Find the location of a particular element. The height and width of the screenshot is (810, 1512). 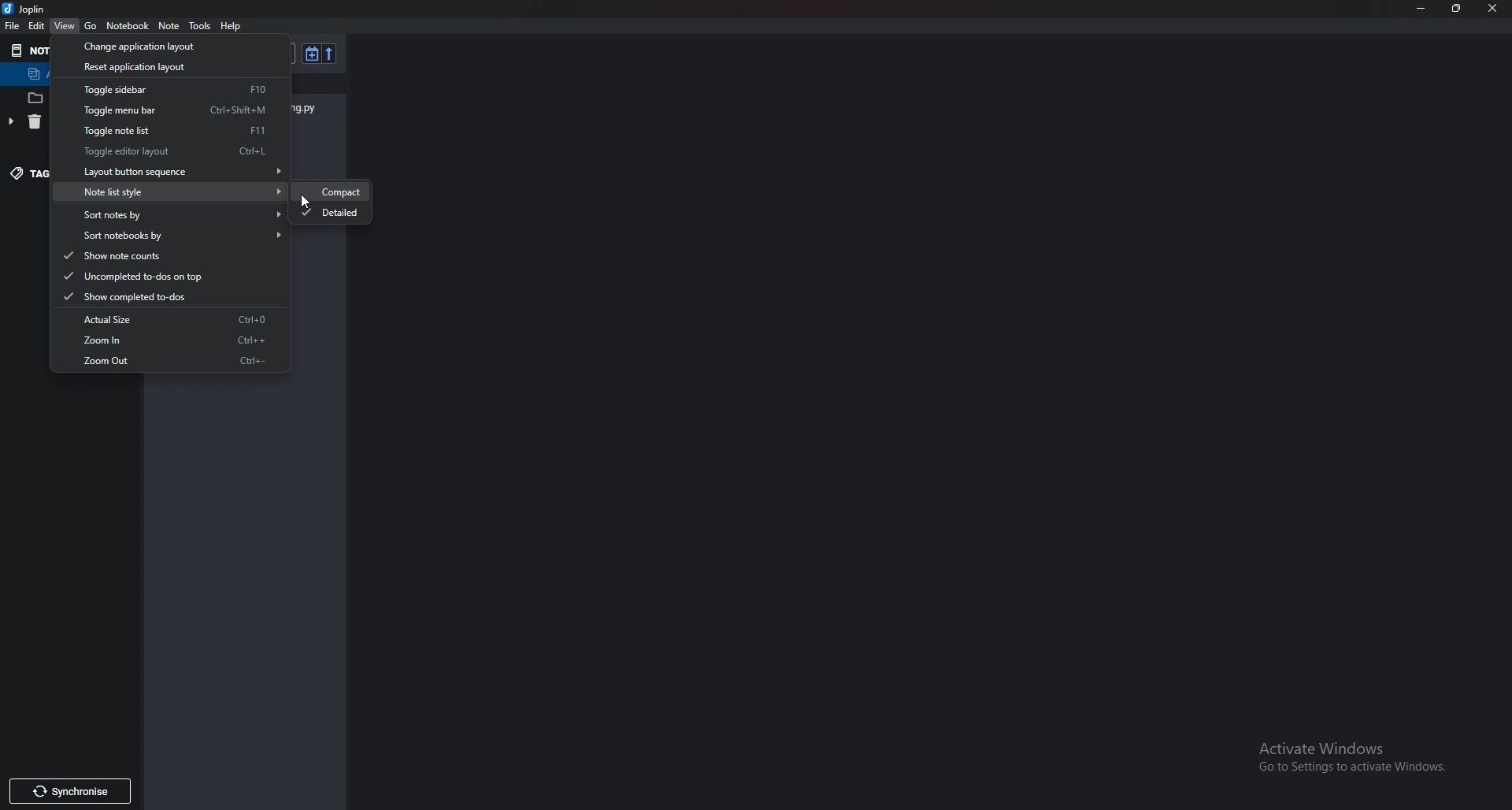

Zoom in is located at coordinates (173, 338).